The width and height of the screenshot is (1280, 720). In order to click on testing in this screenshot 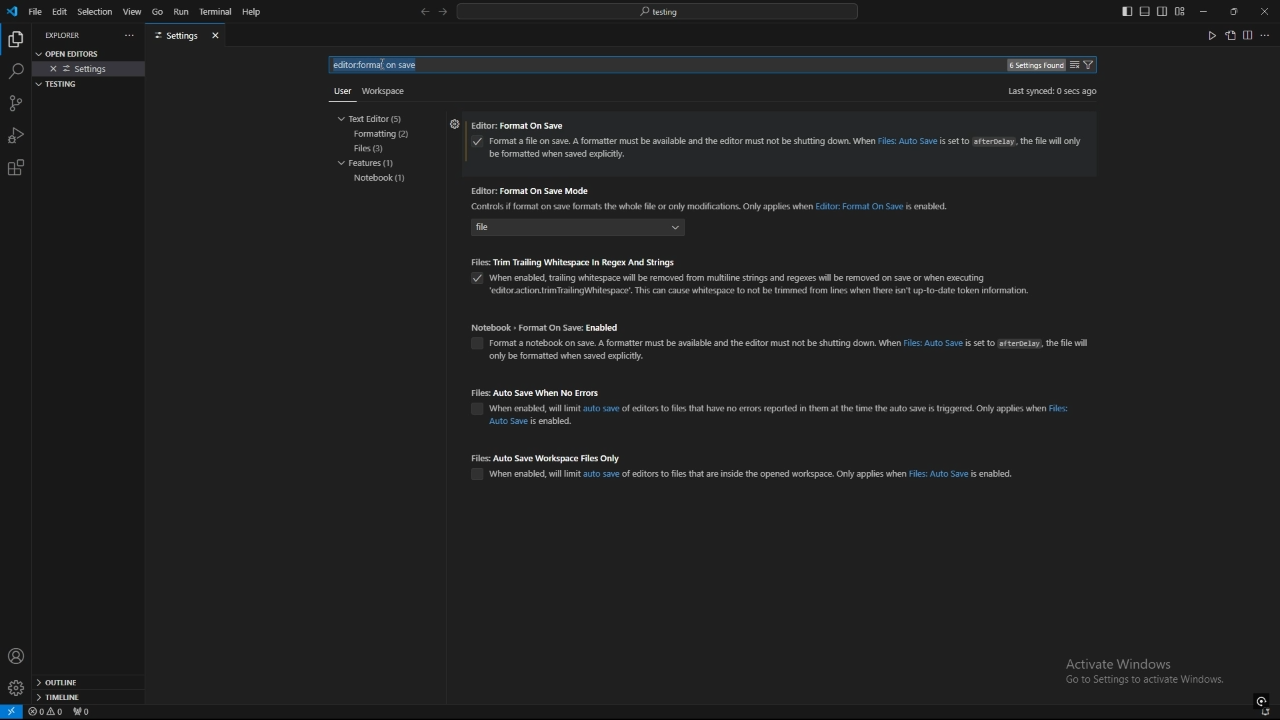, I will do `click(61, 84)`.